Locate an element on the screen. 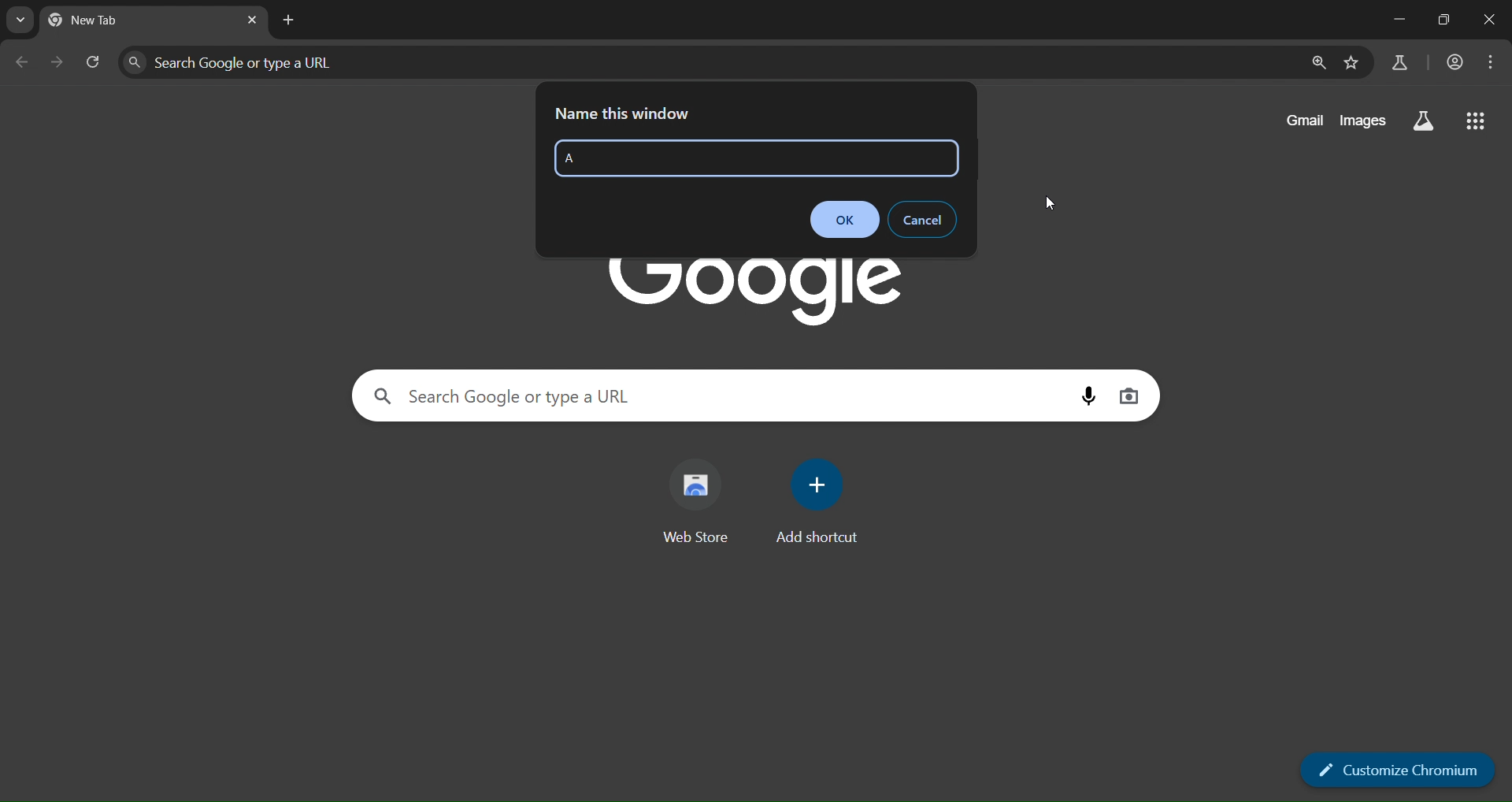 The height and width of the screenshot is (802, 1512). add shortcut is located at coordinates (816, 499).